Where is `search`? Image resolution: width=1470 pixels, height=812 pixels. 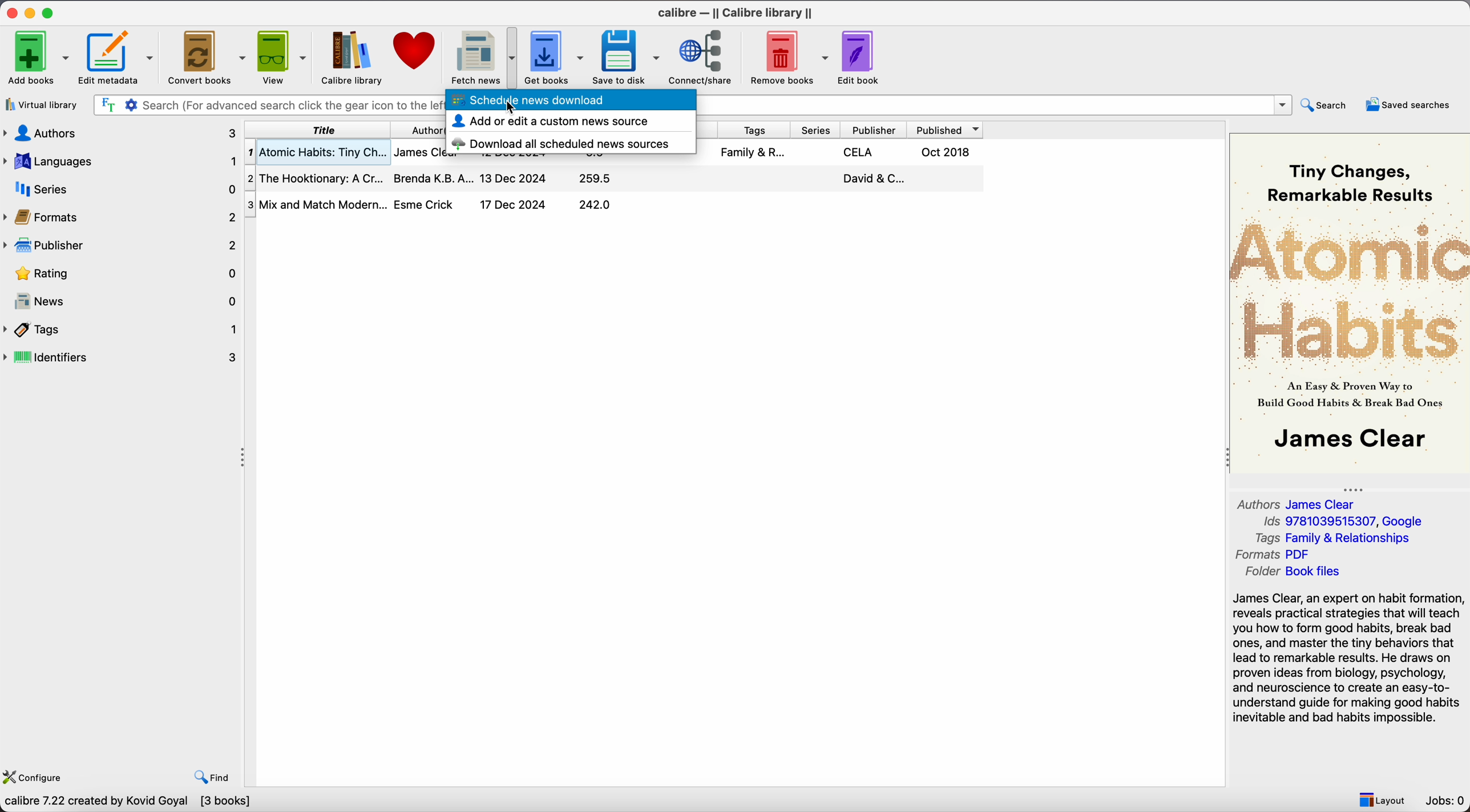 search is located at coordinates (1326, 106).